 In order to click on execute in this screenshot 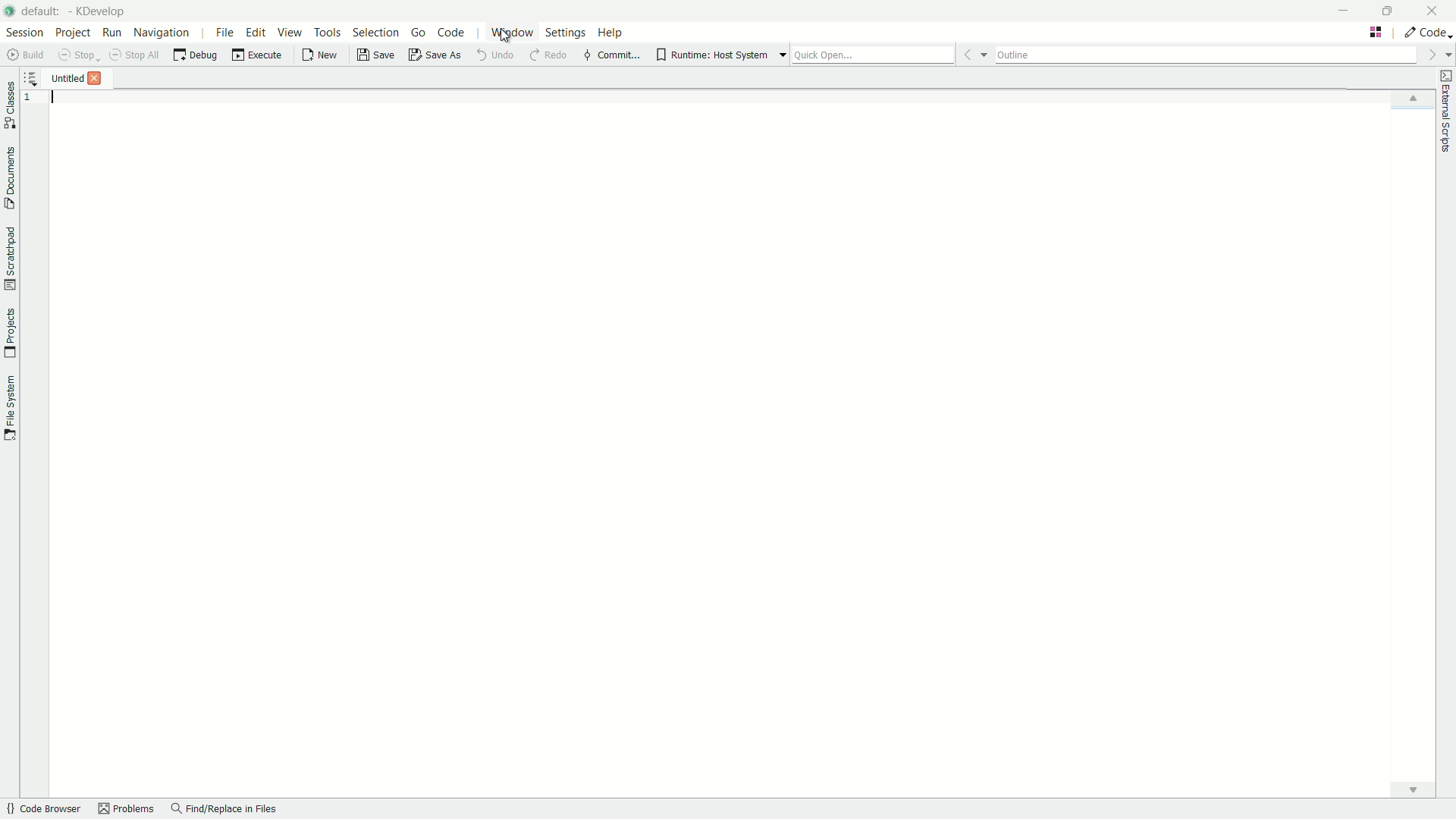, I will do `click(257, 55)`.